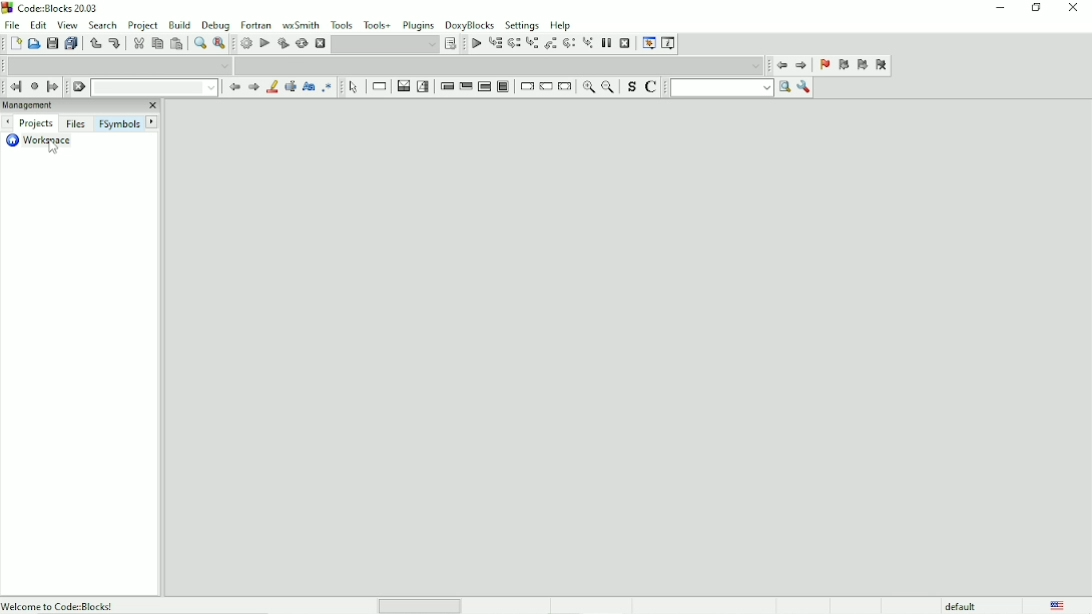 The width and height of the screenshot is (1092, 614). I want to click on Continue instruction, so click(546, 88).